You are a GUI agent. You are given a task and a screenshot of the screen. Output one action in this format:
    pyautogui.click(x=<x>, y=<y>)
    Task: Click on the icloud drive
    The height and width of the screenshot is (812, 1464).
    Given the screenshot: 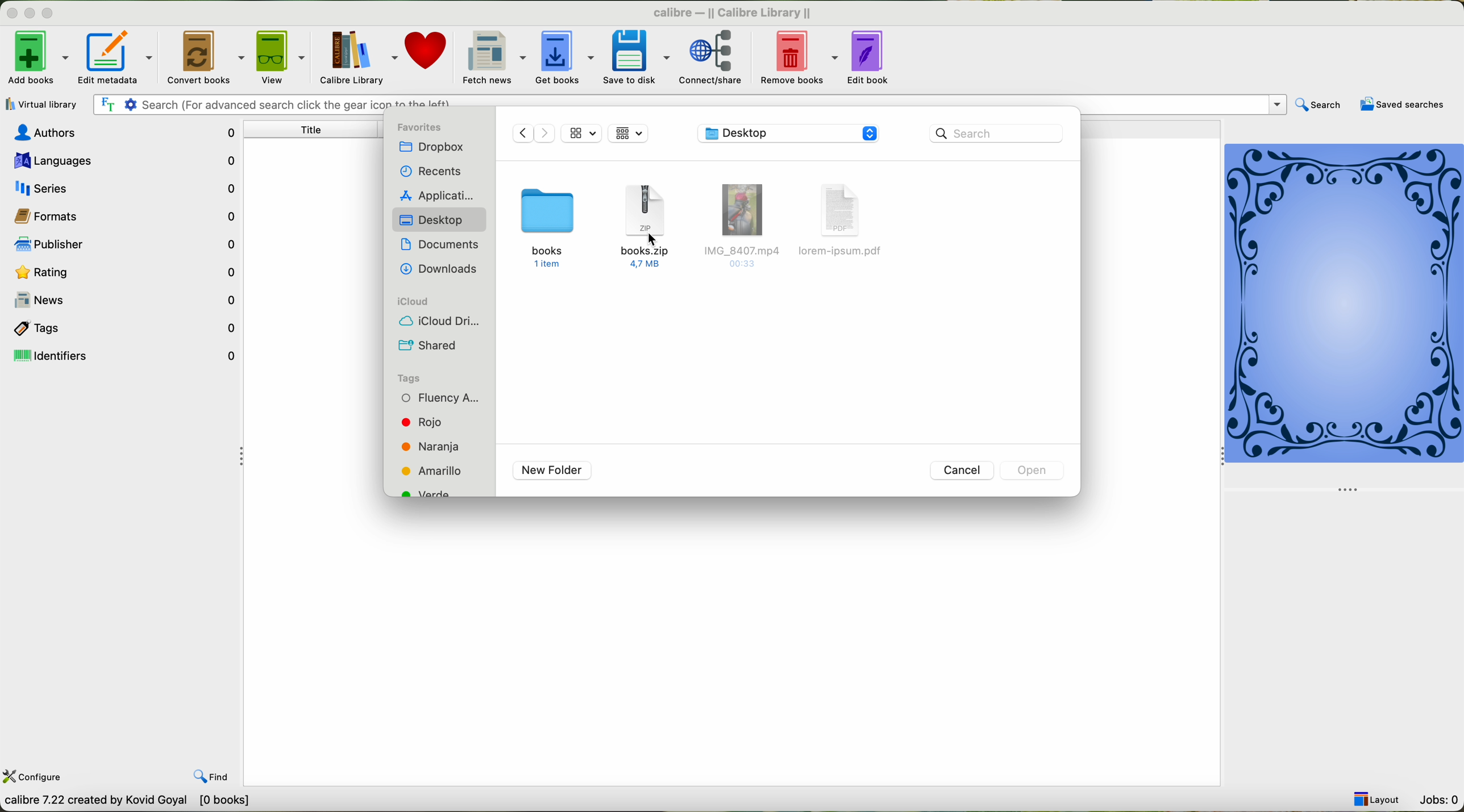 What is the action you would take?
    pyautogui.click(x=439, y=320)
    